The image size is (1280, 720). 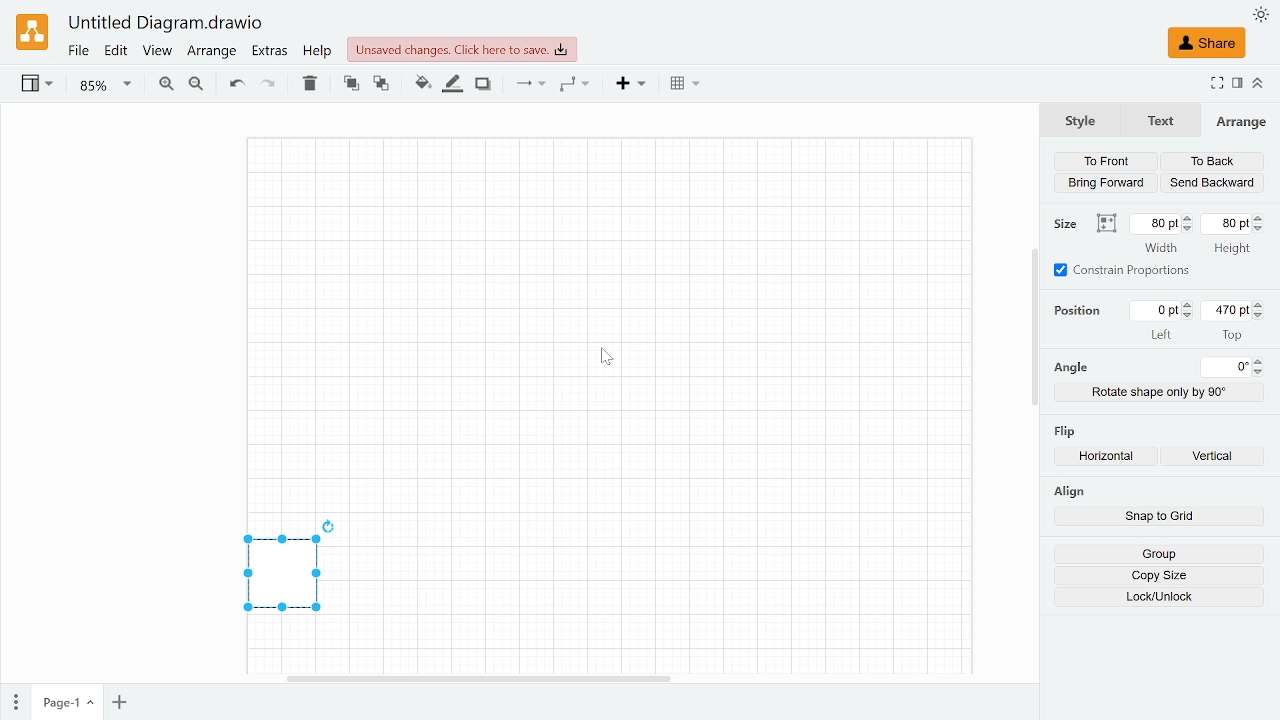 What do you see at coordinates (267, 85) in the screenshot?
I see `Redo` at bounding box center [267, 85].